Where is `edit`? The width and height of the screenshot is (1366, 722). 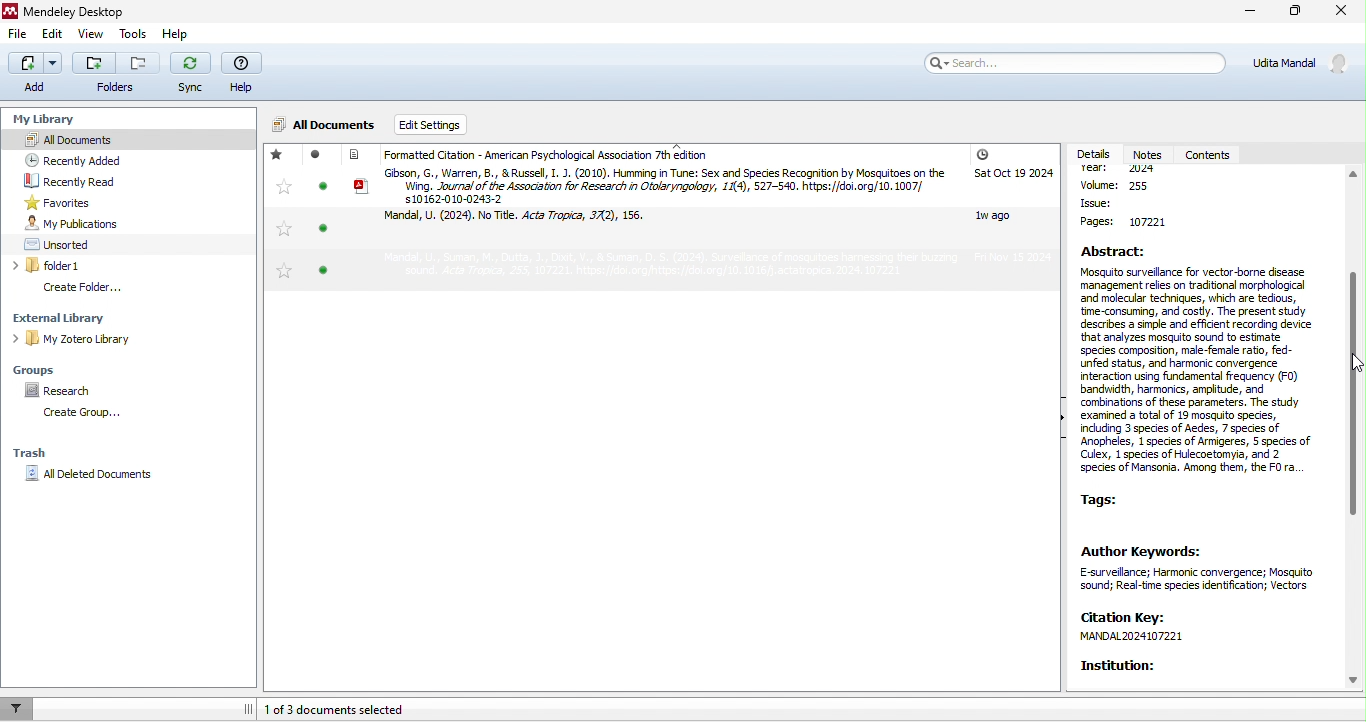 edit is located at coordinates (53, 35).